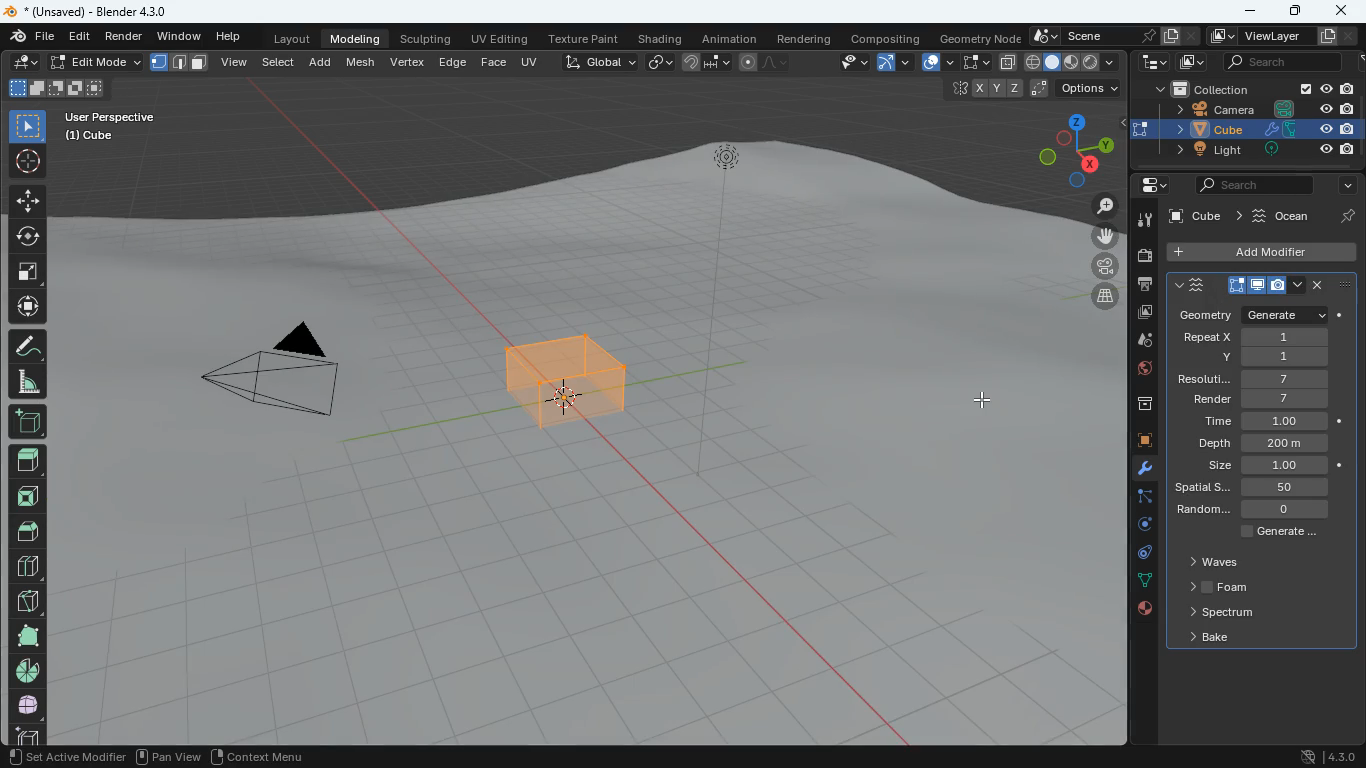  Describe the element at coordinates (660, 63) in the screenshot. I see `link` at that location.